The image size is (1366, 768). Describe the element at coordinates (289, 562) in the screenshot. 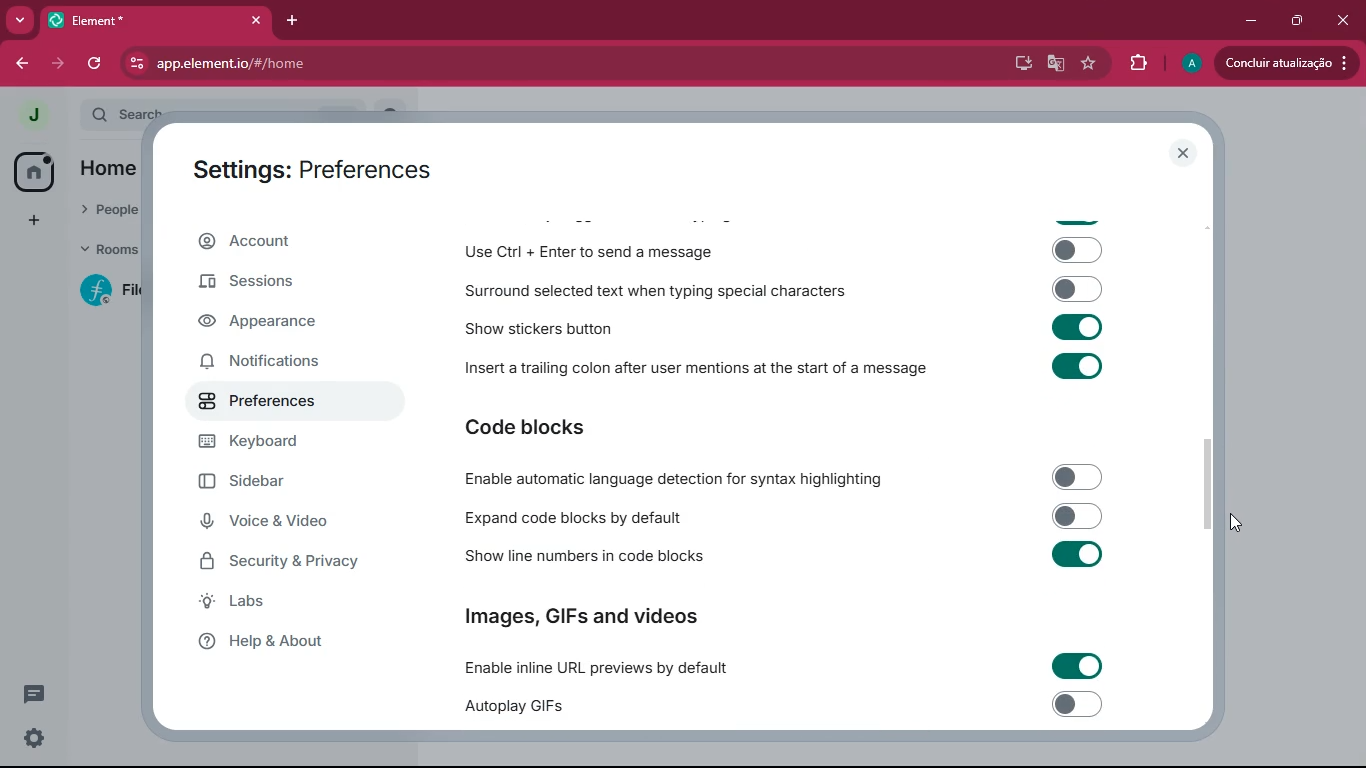

I see `security & Privacy` at that location.